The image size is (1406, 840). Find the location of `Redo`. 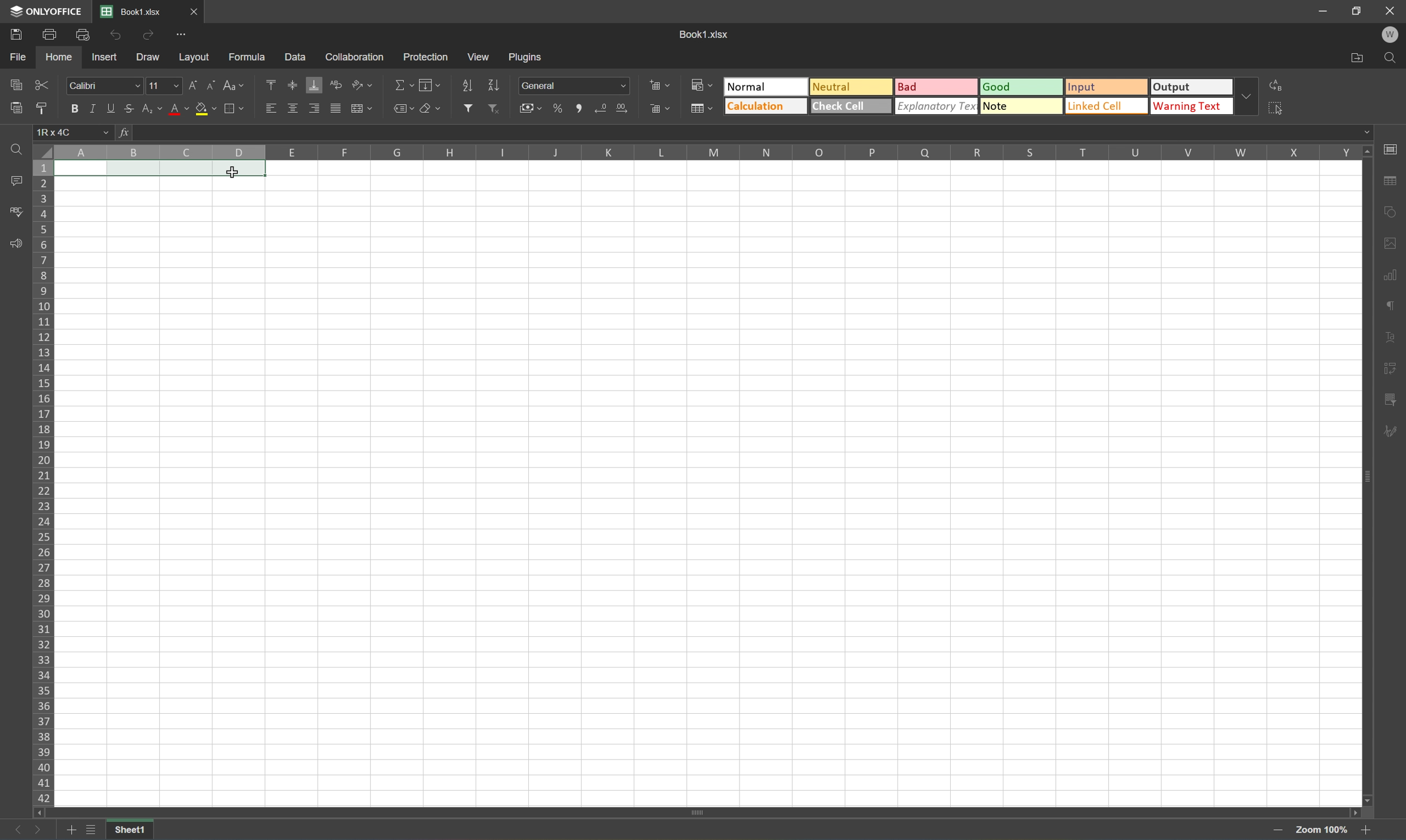

Redo is located at coordinates (149, 37).